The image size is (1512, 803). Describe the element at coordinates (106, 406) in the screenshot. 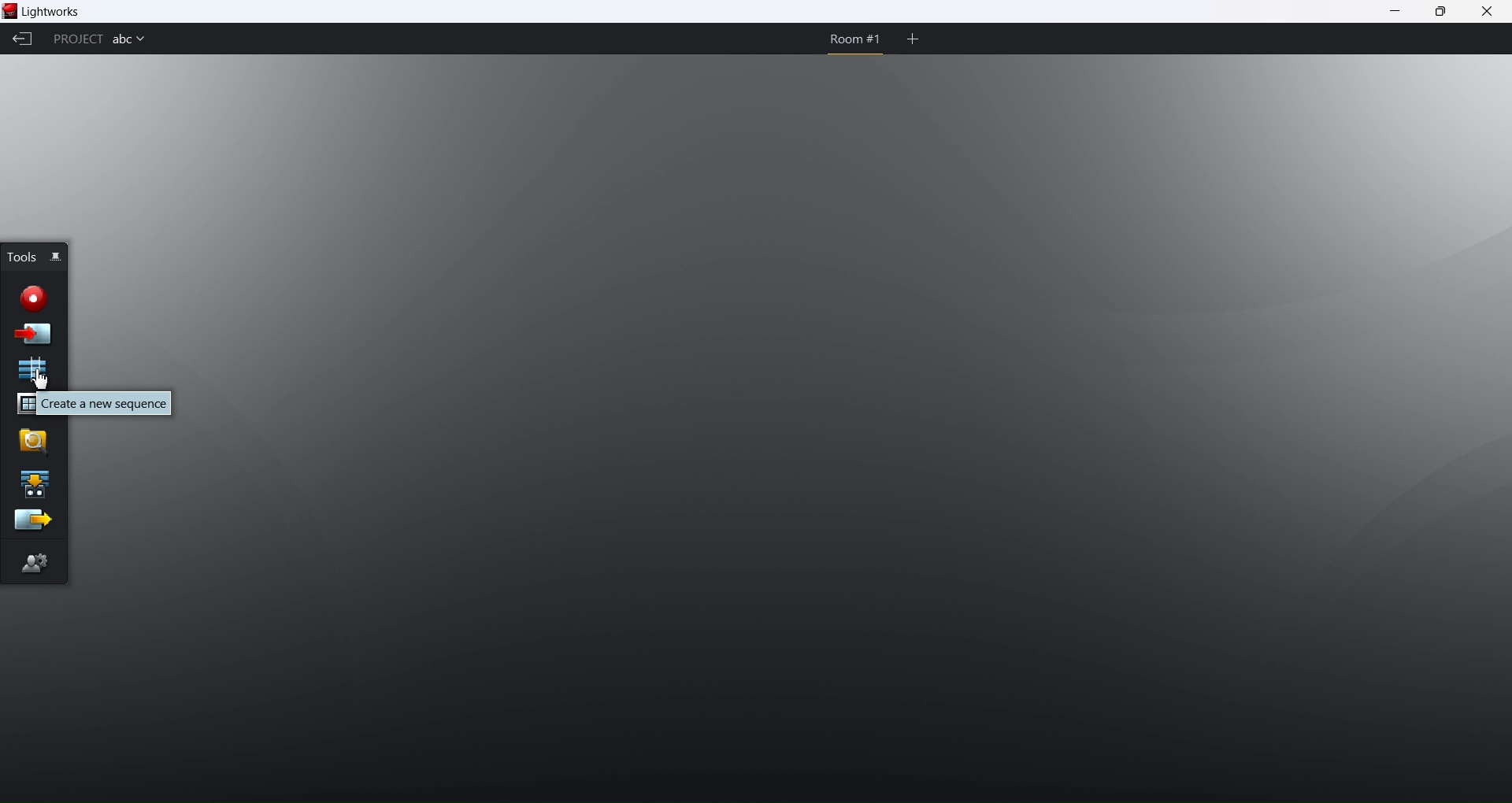

I see `create a new sequence` at that location.